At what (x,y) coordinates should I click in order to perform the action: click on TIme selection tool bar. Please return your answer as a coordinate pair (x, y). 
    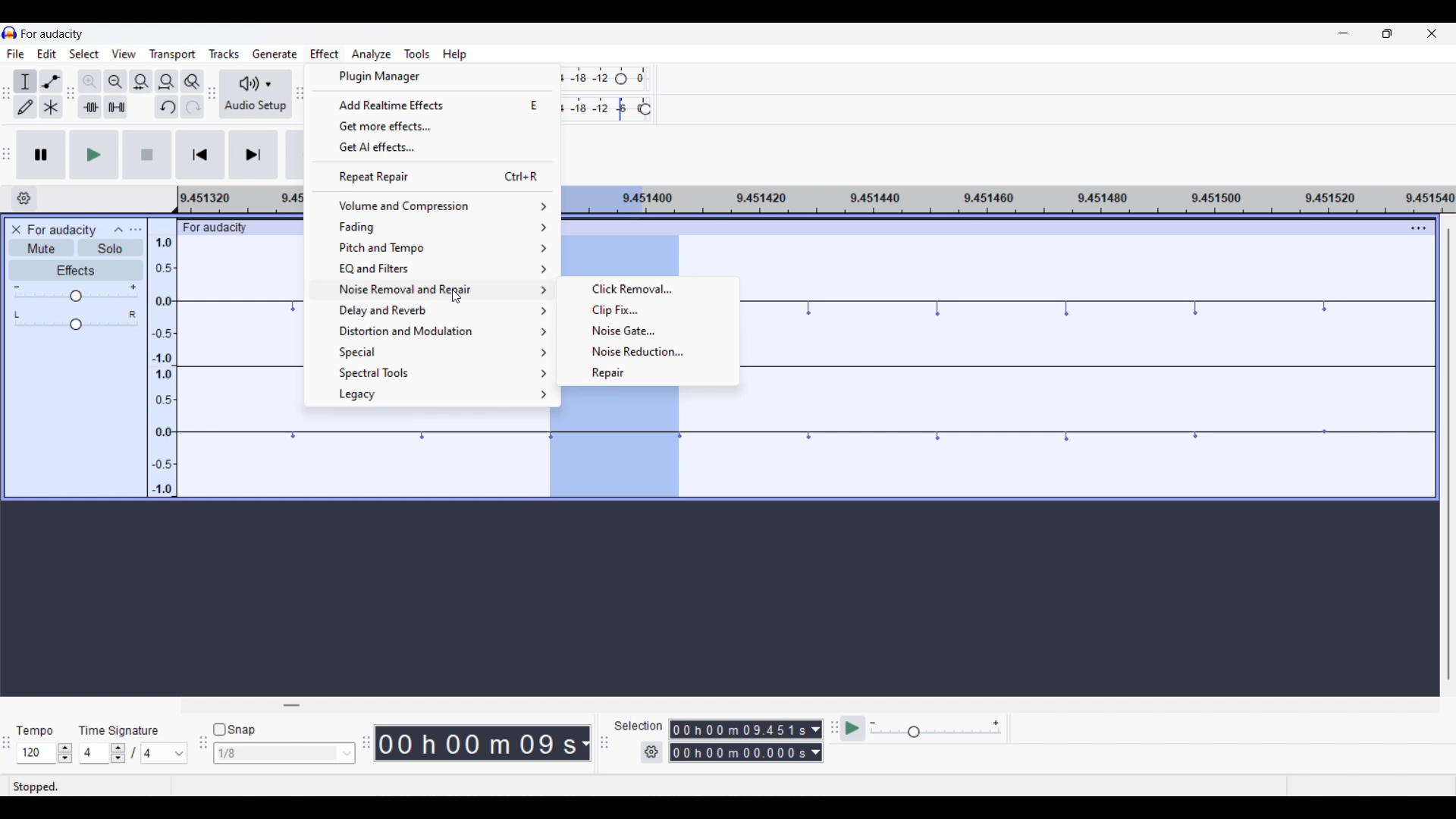
    Looking at the image, I should click on (9, 752).